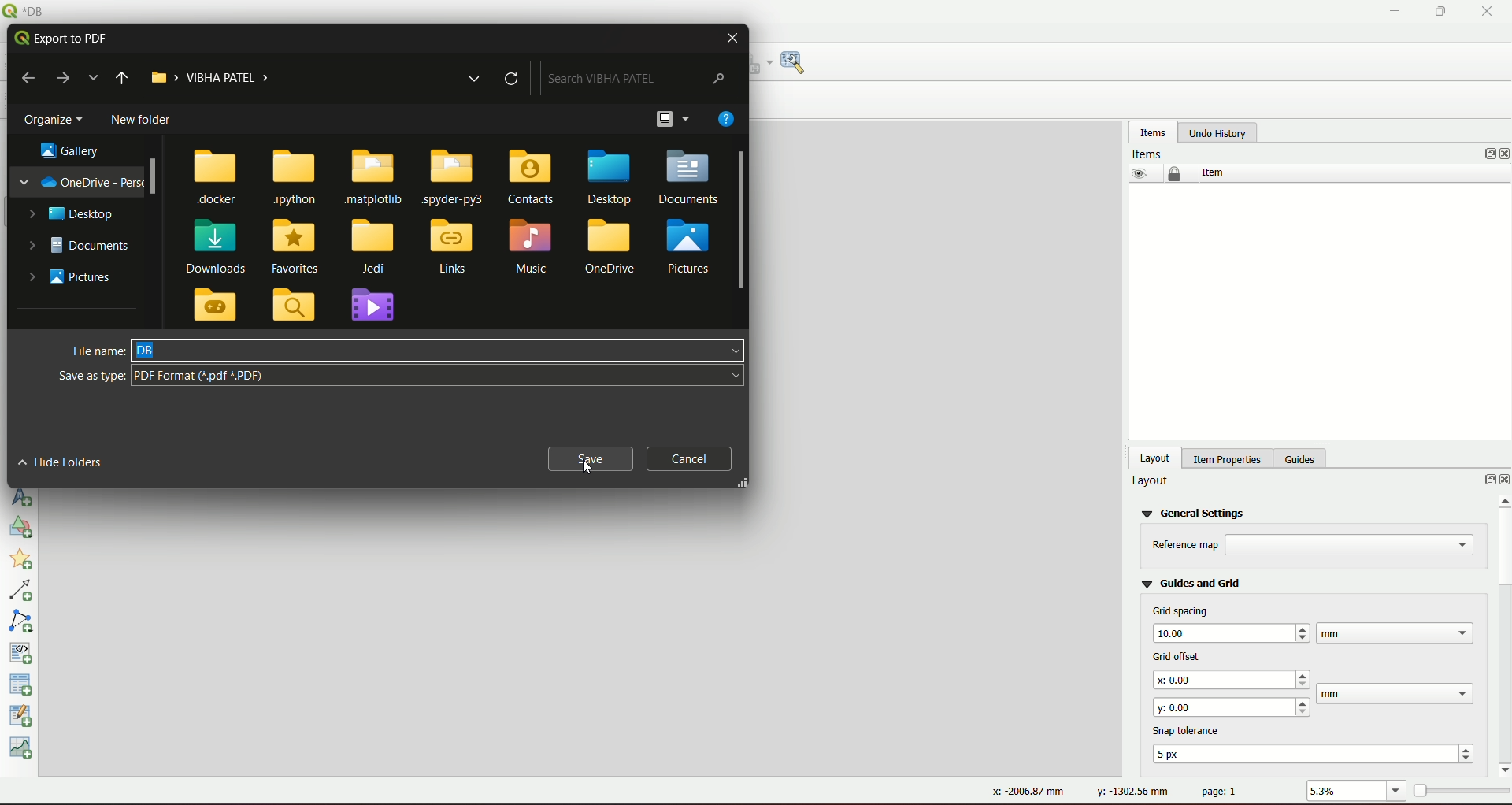  Describe the element at coordinates (23, 684) in the screenshot. I see `add fixed table` at that location.